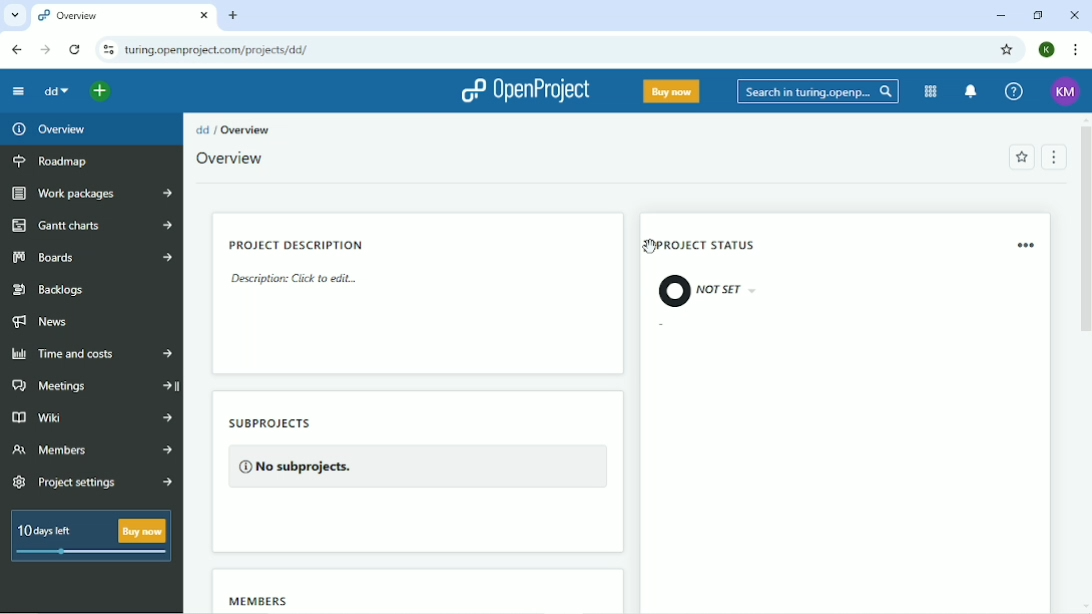 This screenshot has height=614, width=1092. Describe the element at coordinates (931, 92) in the screenshot. I see `Modules` at that location.